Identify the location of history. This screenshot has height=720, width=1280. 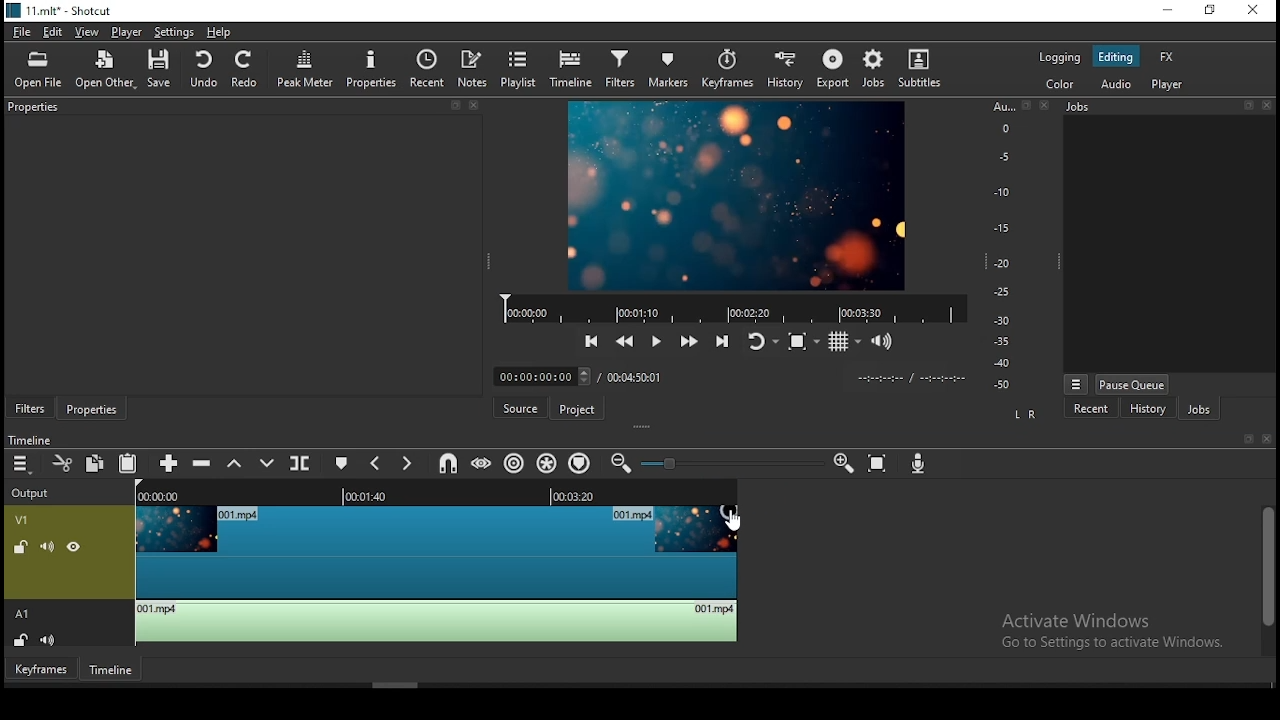
(1139, 410).